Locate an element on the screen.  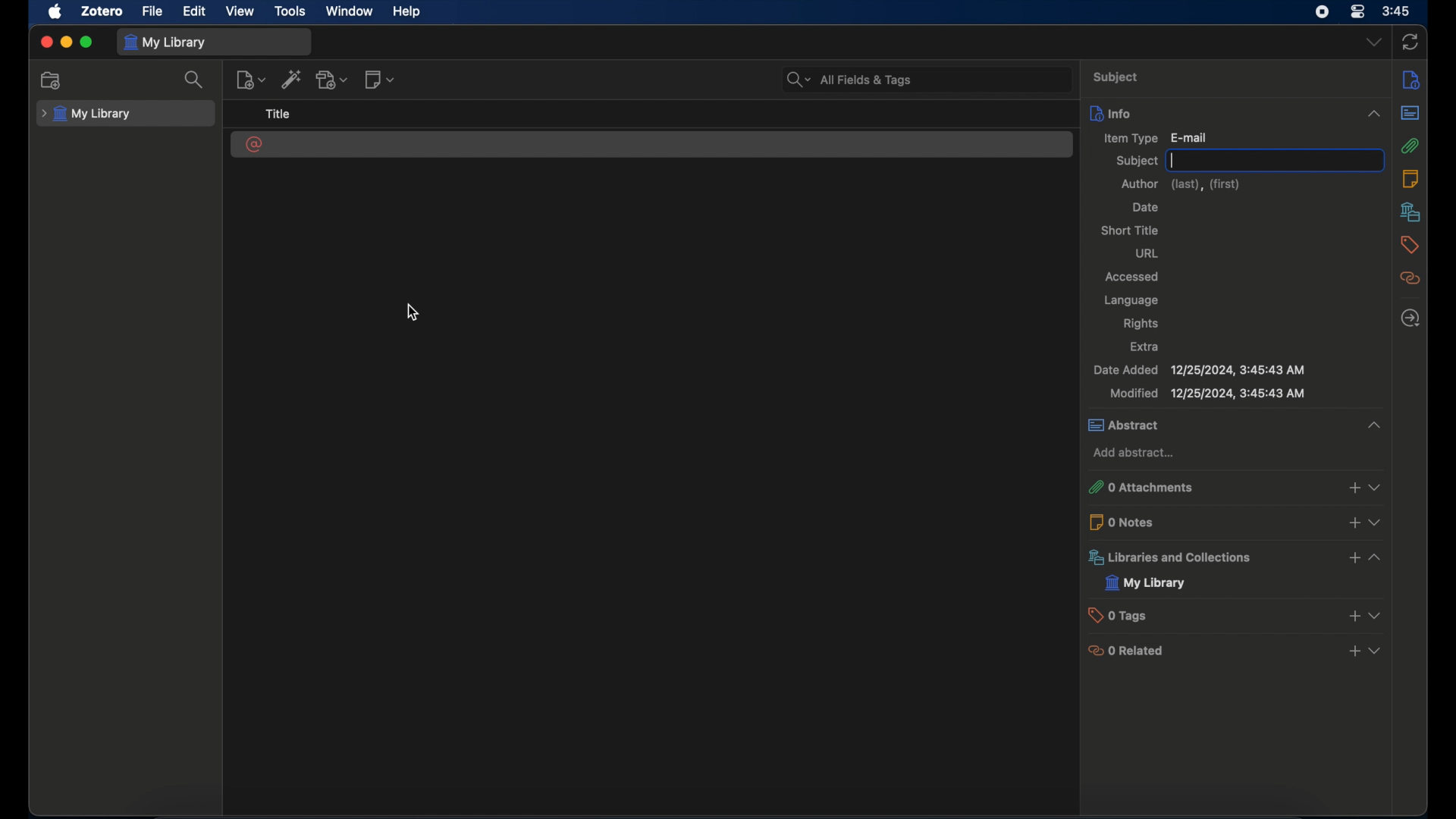
view is located at coordinates (240, 11).